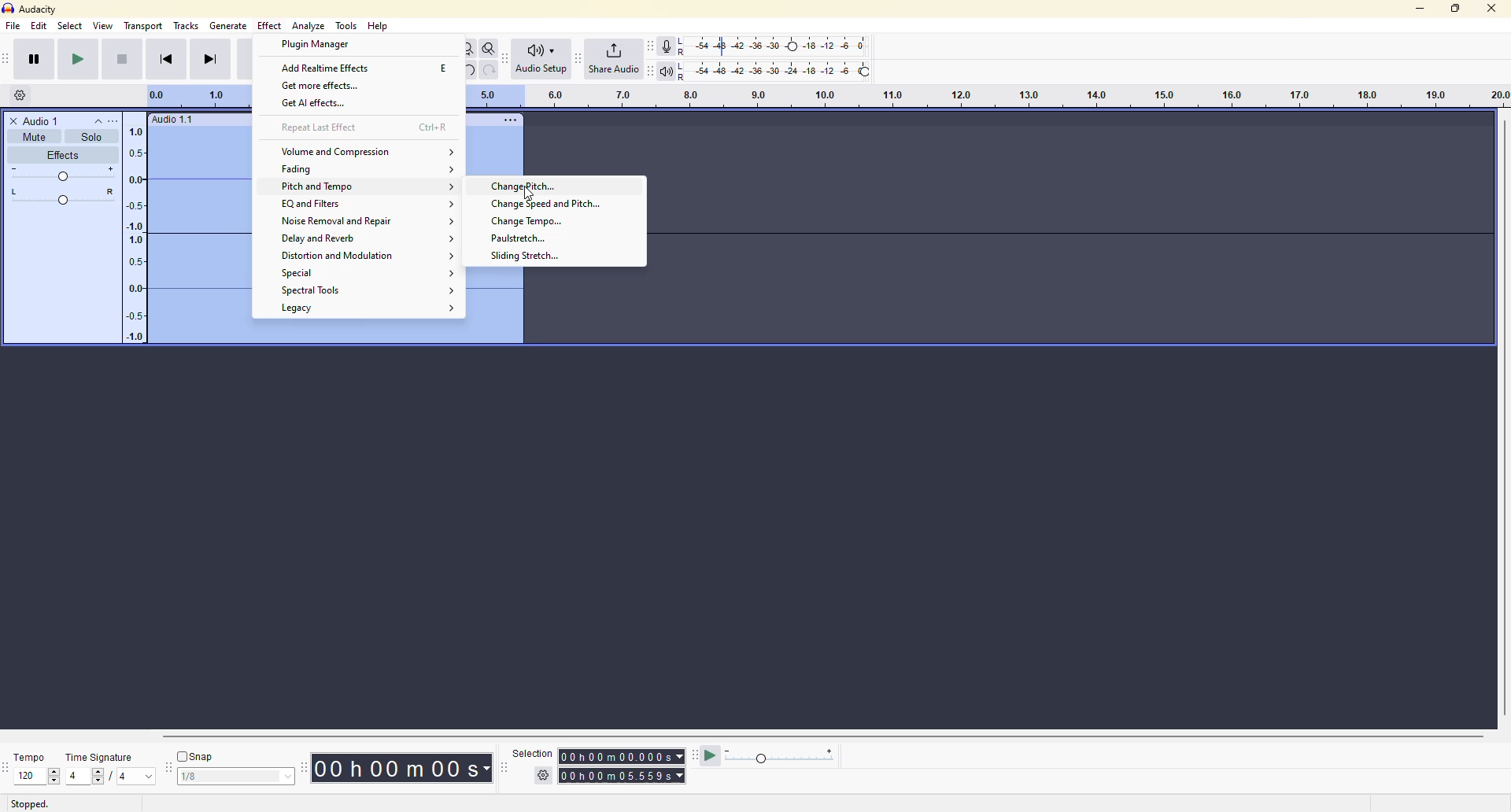  Describe the element at coordinates (804, 736) in the screenshot. I see `scroll bar` at that location.